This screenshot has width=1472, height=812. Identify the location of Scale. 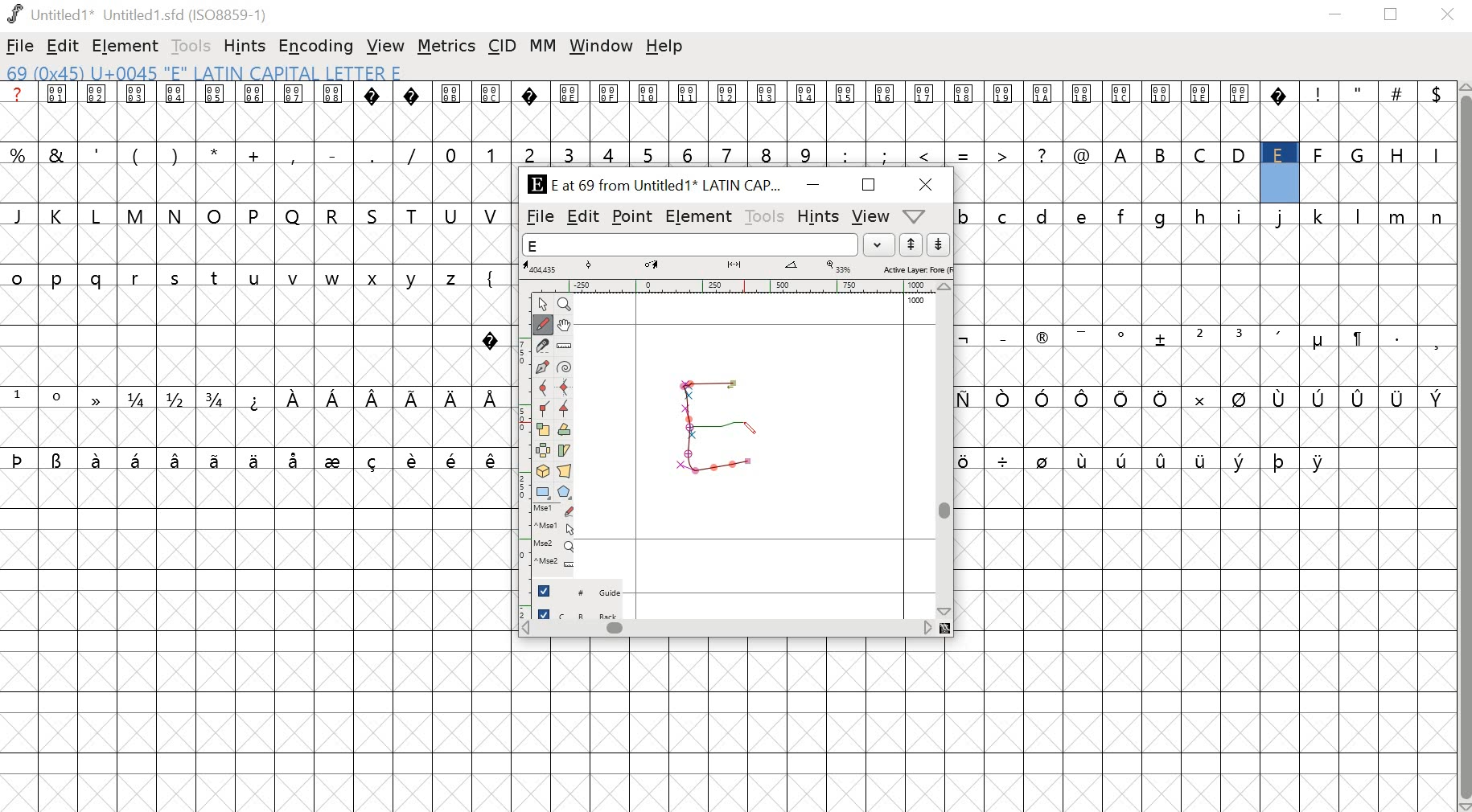
(544, 430).